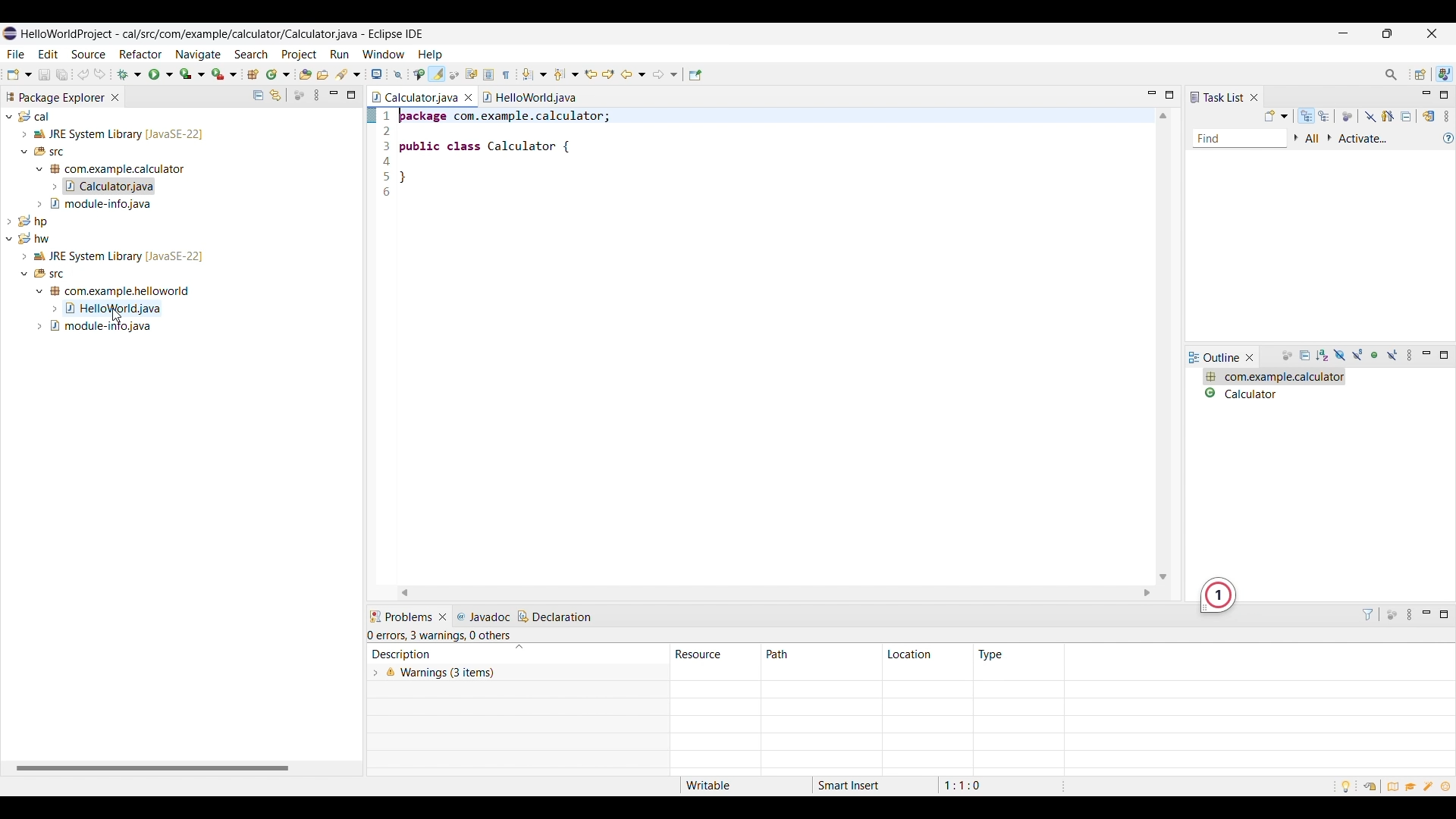  What do you see at coordinates (10, 33) in the screenshot?
I see `Software logo` at bounding box center [10, 33].